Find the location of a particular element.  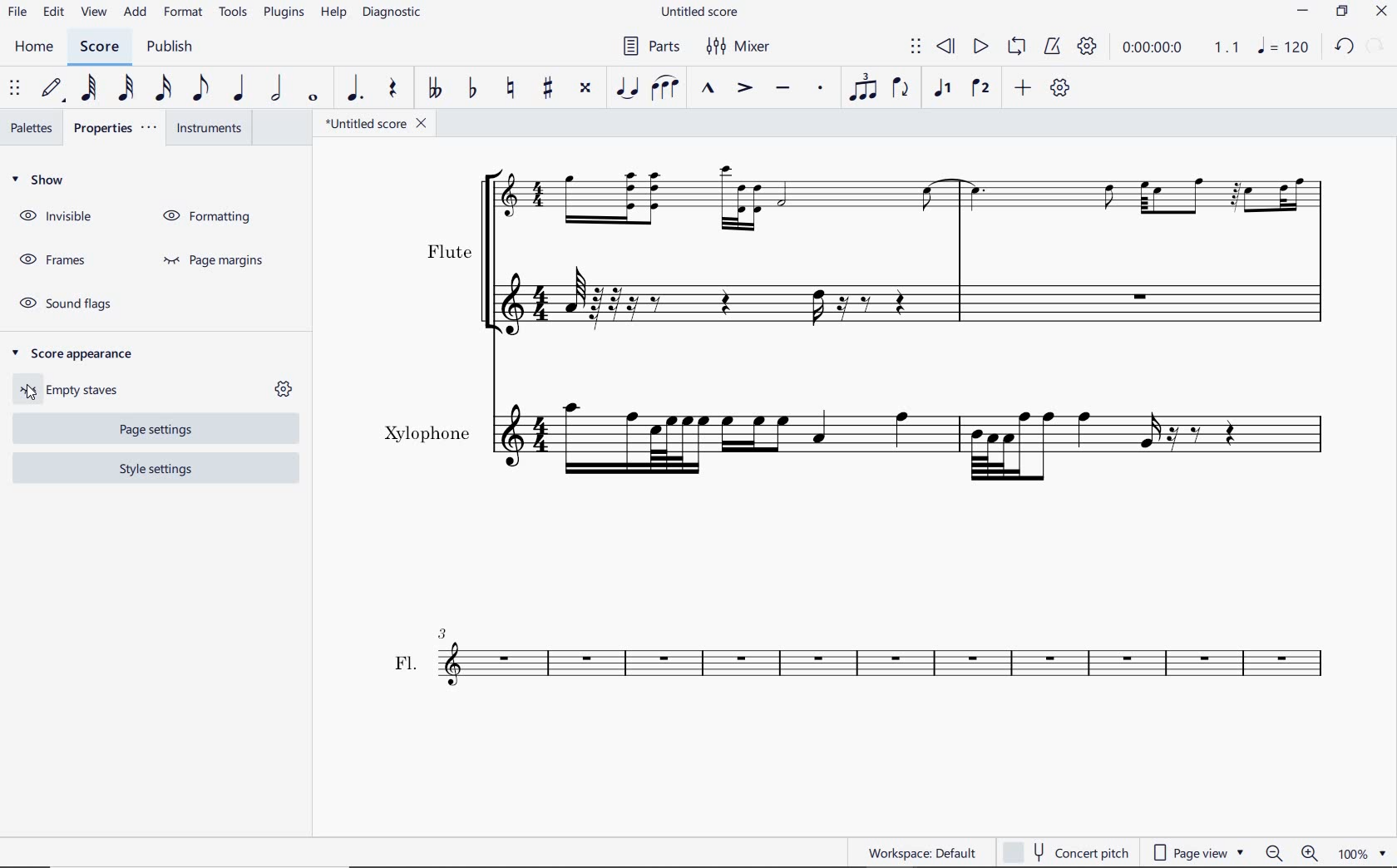

TOGGLE NATURAL is located at coordinates (511, 87).